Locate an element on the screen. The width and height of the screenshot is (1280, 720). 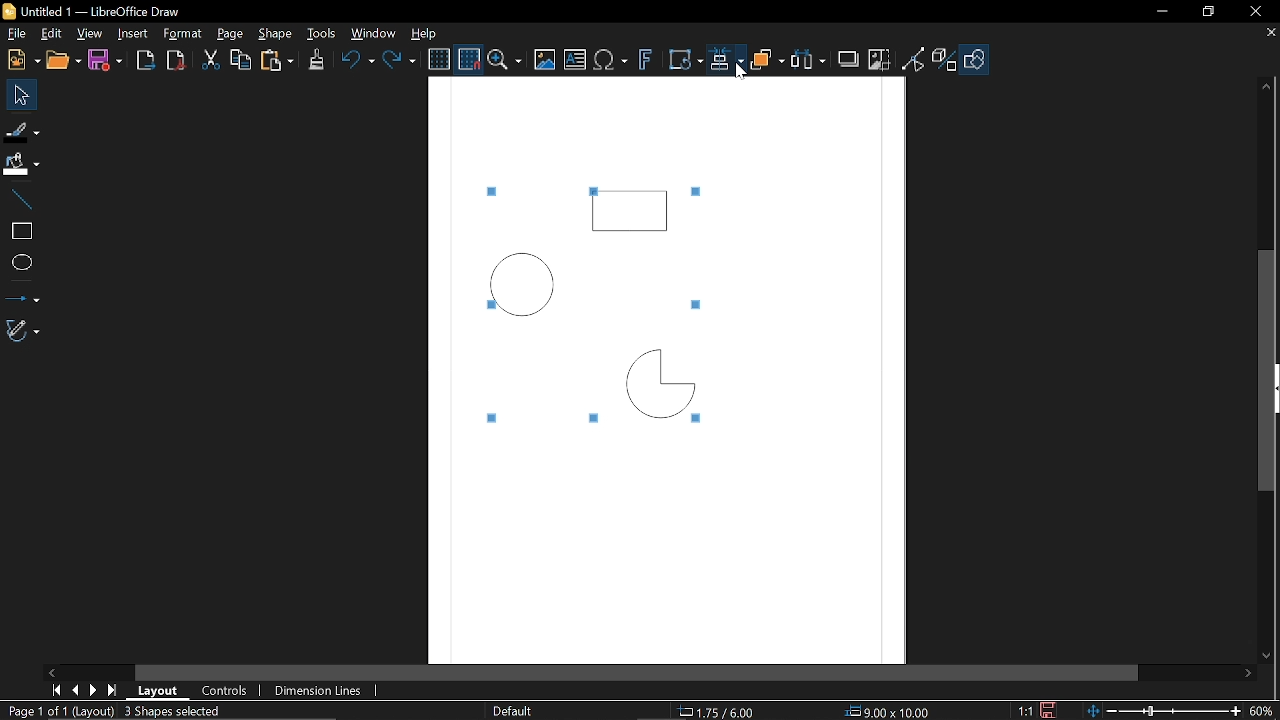
New is located at coordinates (20, 60).